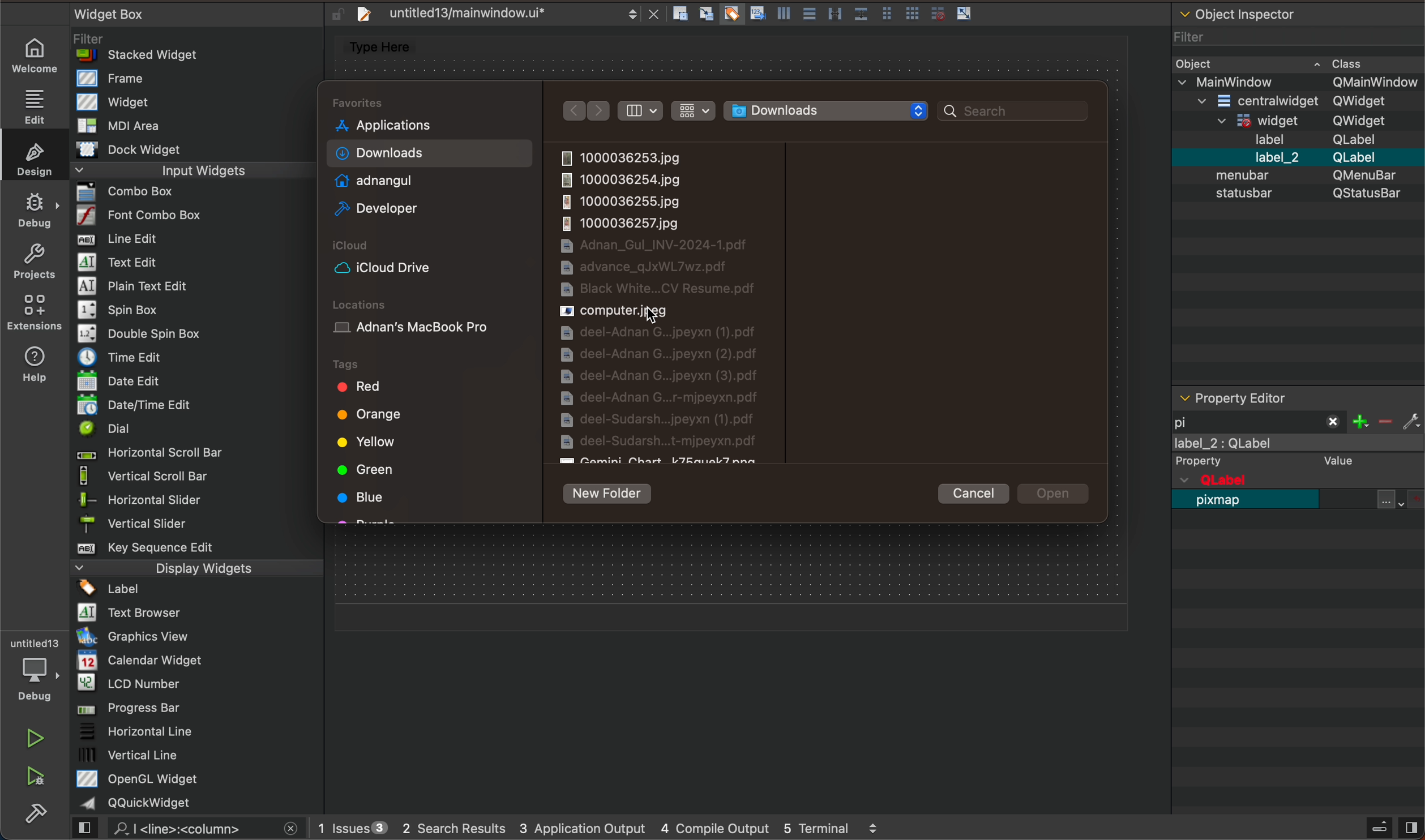  I want to click on filetr pixmap, so click(1260, 420).